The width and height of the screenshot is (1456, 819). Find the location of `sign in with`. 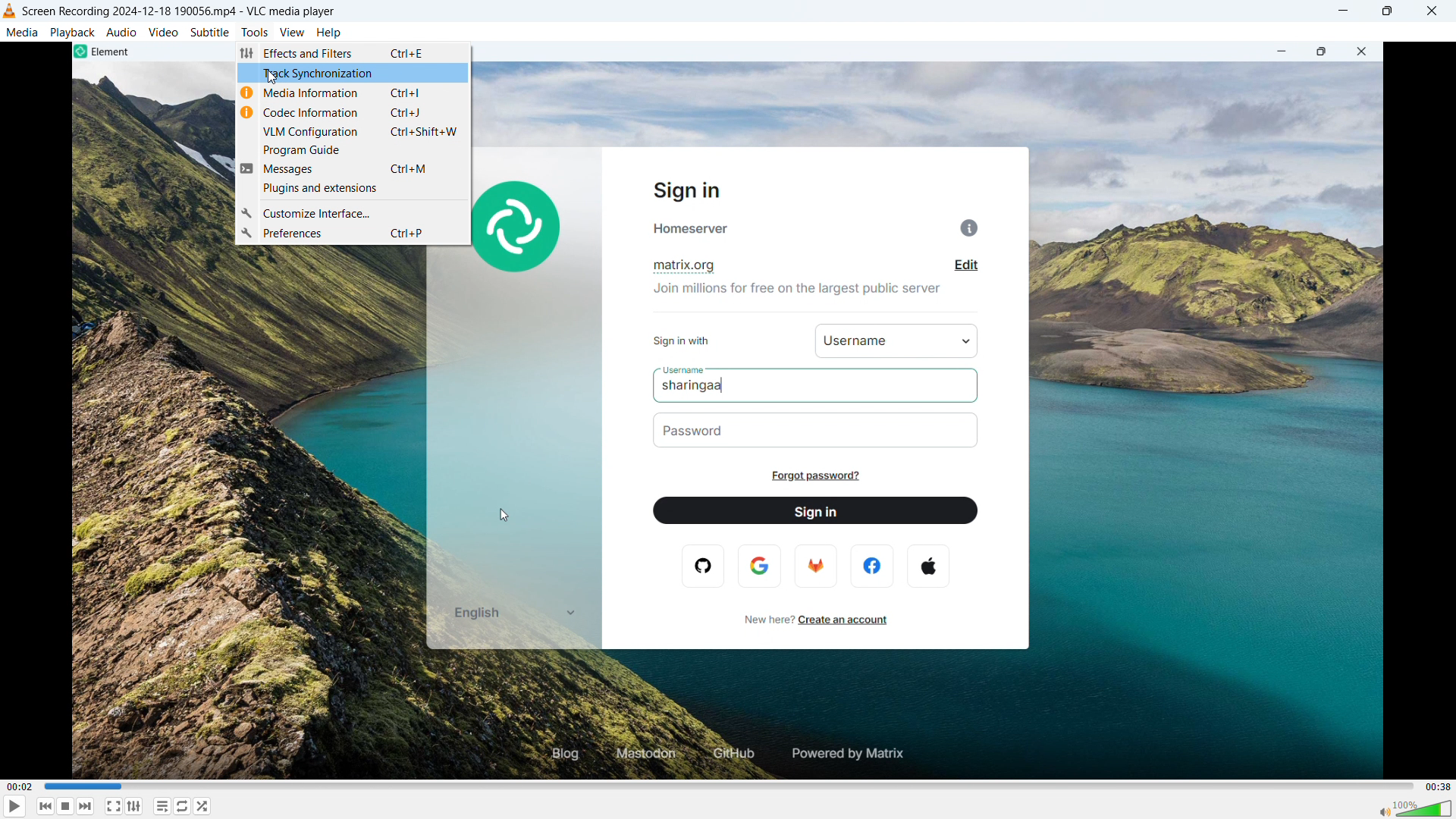

sign in with is located at coordinates (679, 337).